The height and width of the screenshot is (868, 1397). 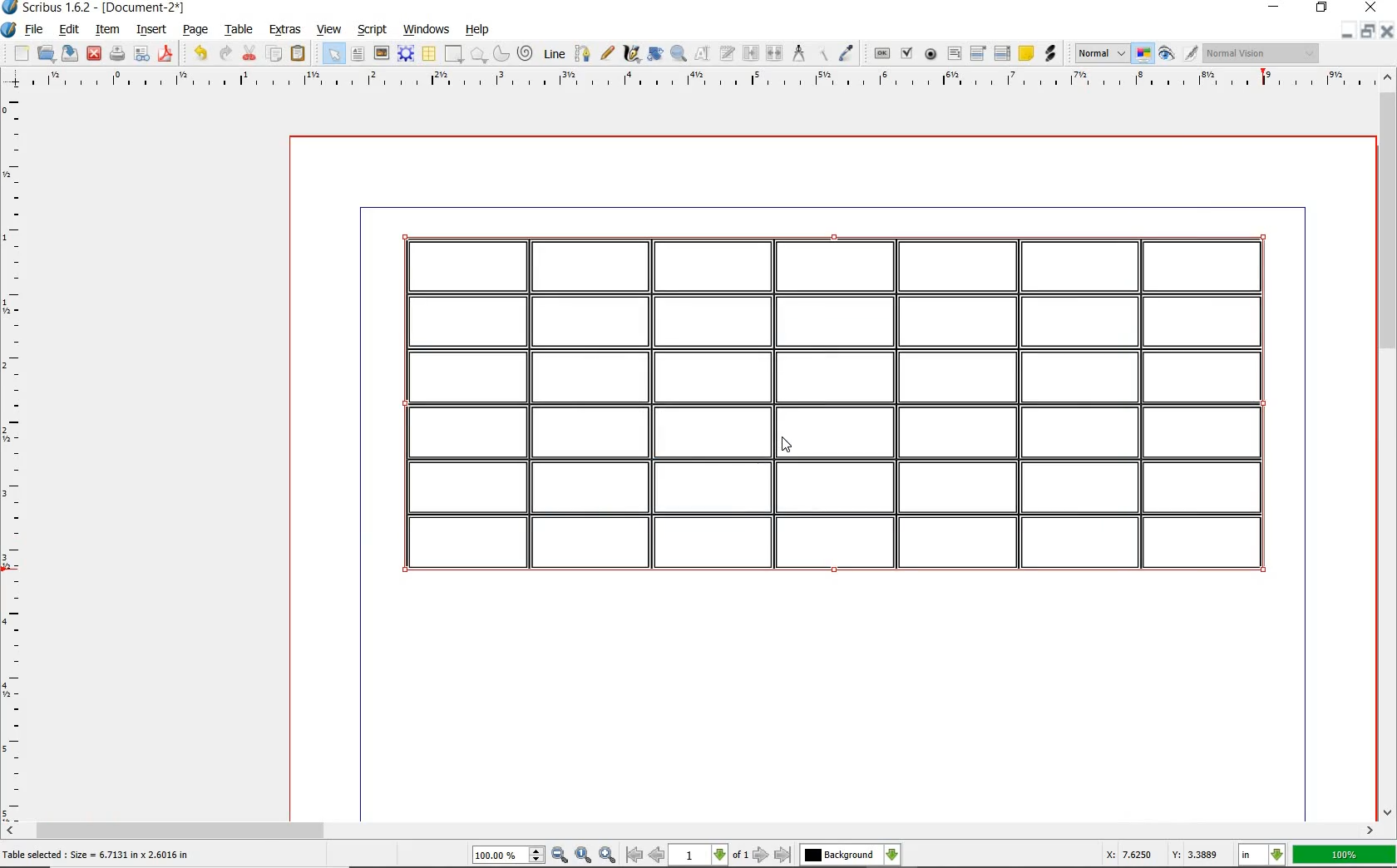 What do you see at coordinates (241, 31) in the screenshot?
I see `table` at bounding box center [241, 31].